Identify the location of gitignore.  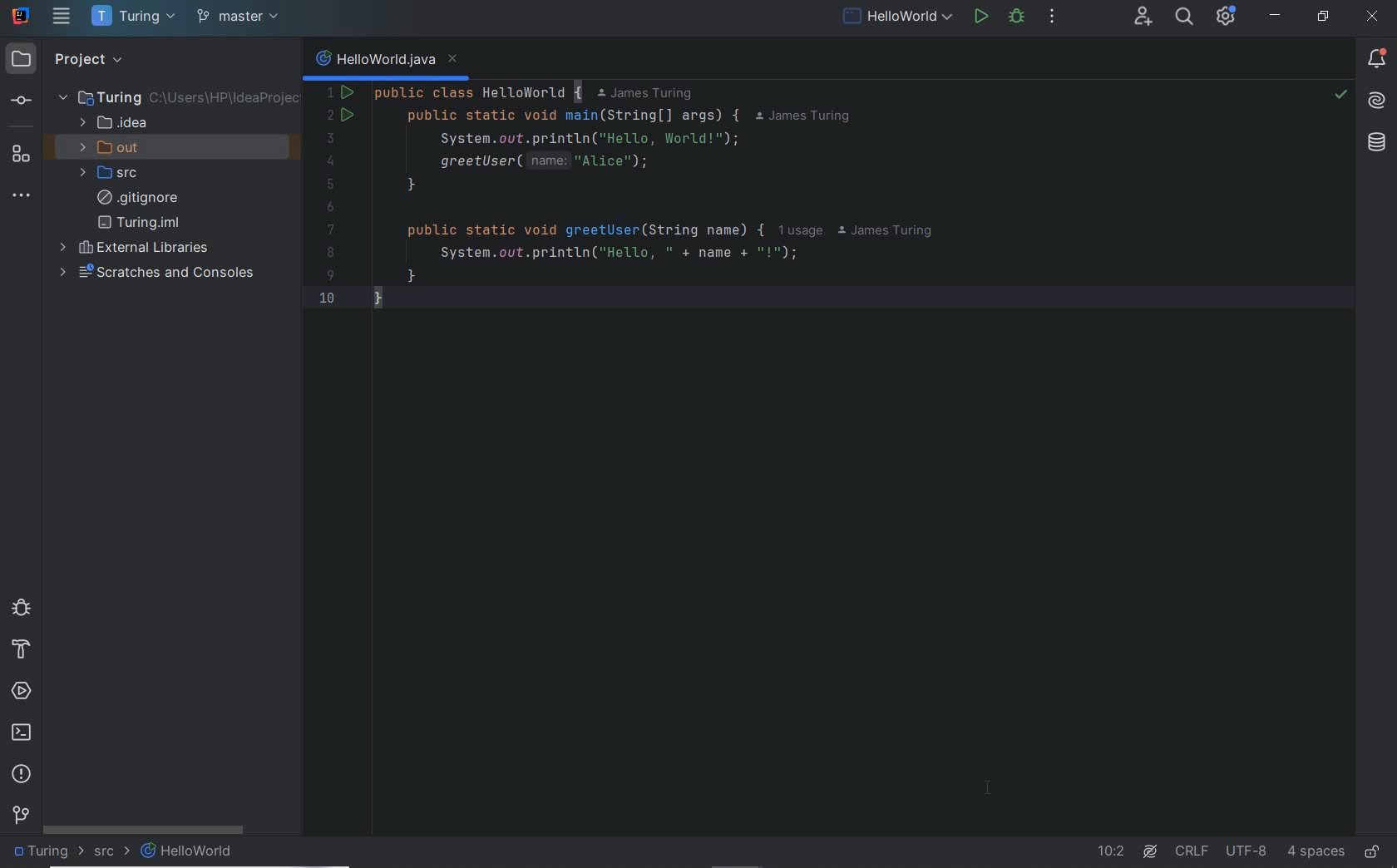
(137, 198).